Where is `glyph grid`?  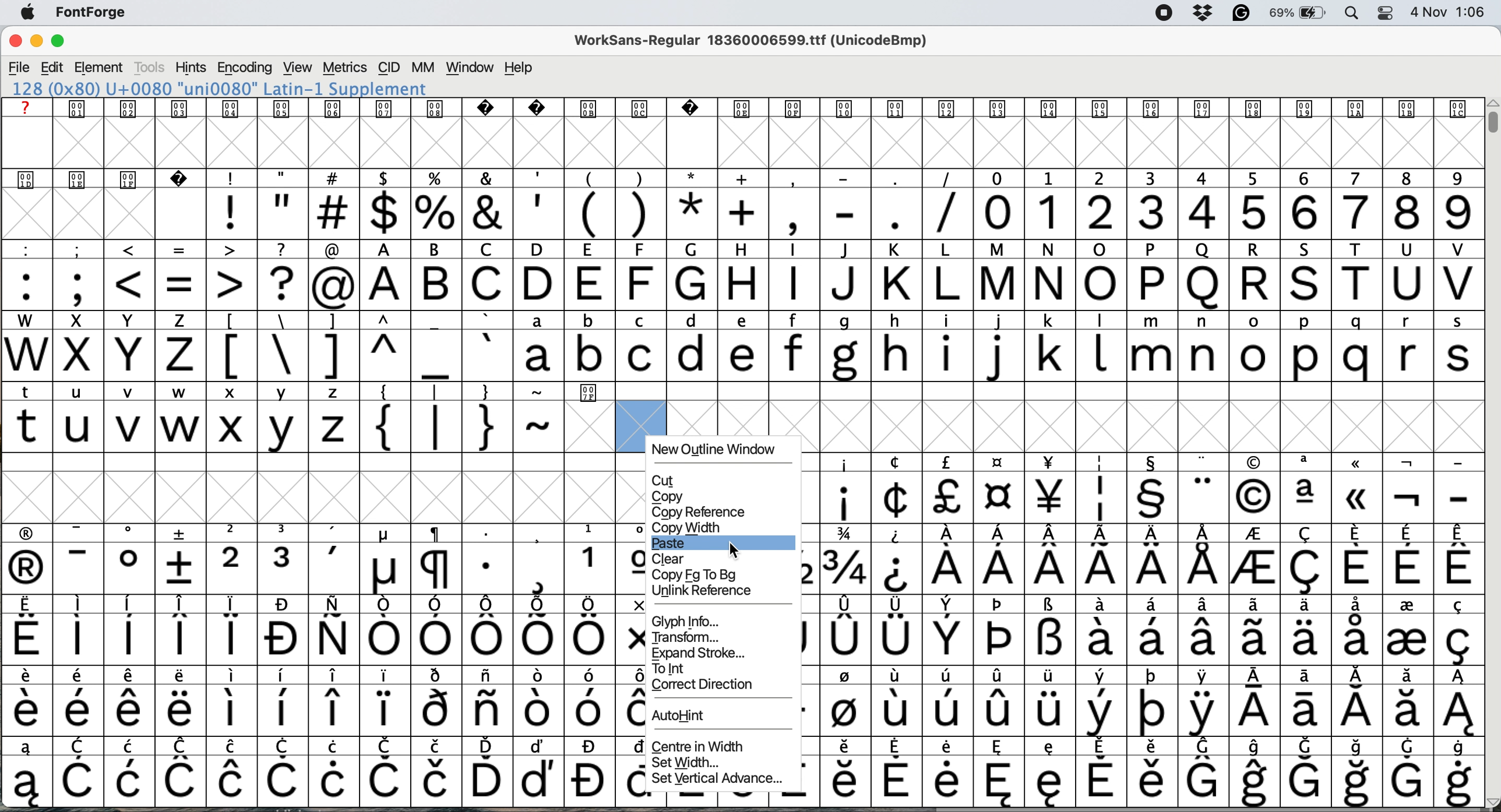
glyph grid is located at coordinates (591, 428).